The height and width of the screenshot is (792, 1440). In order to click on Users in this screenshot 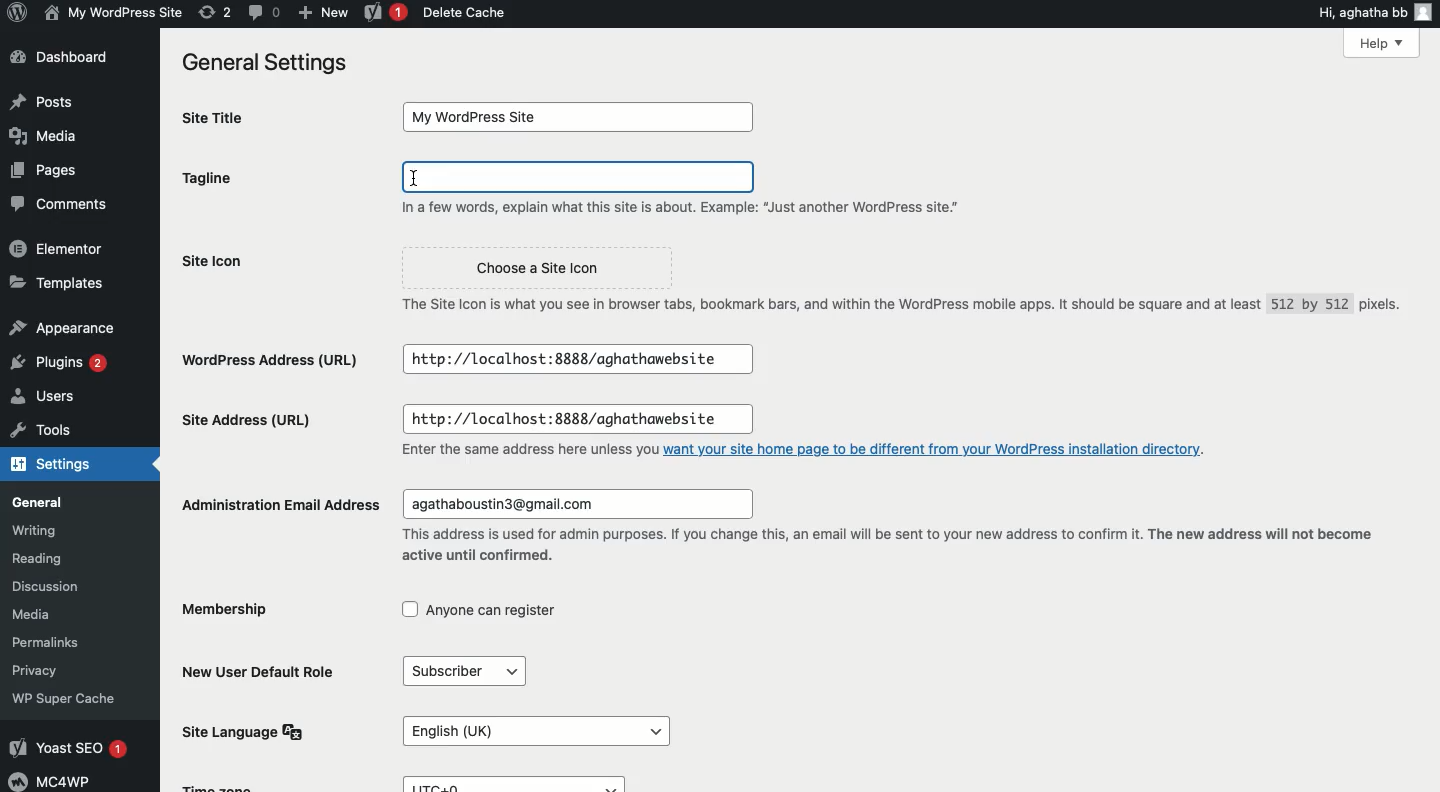, I will do `click(61, 399)`.